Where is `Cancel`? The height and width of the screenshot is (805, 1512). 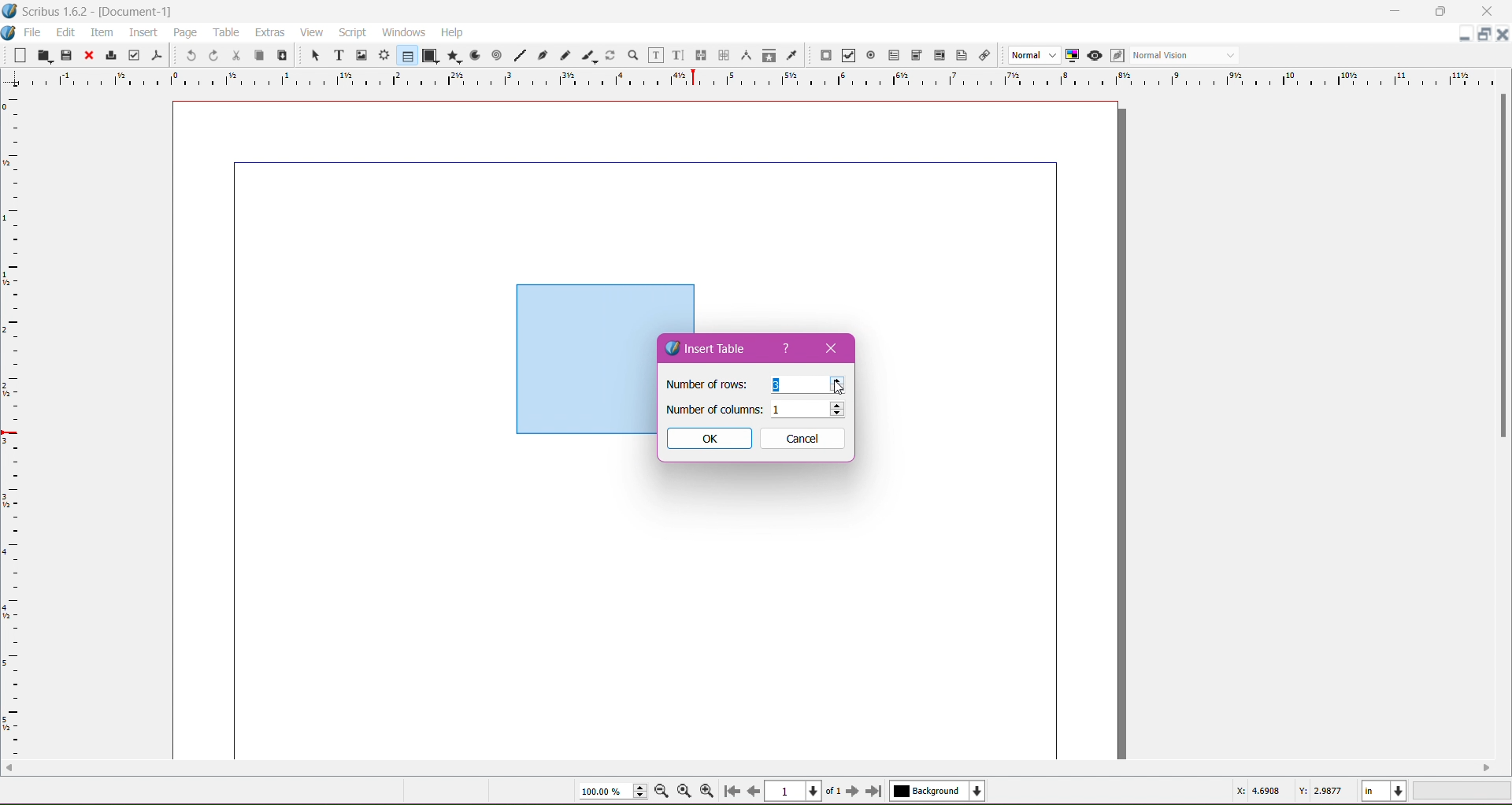
Cancel is located at coordinates (802, 439).